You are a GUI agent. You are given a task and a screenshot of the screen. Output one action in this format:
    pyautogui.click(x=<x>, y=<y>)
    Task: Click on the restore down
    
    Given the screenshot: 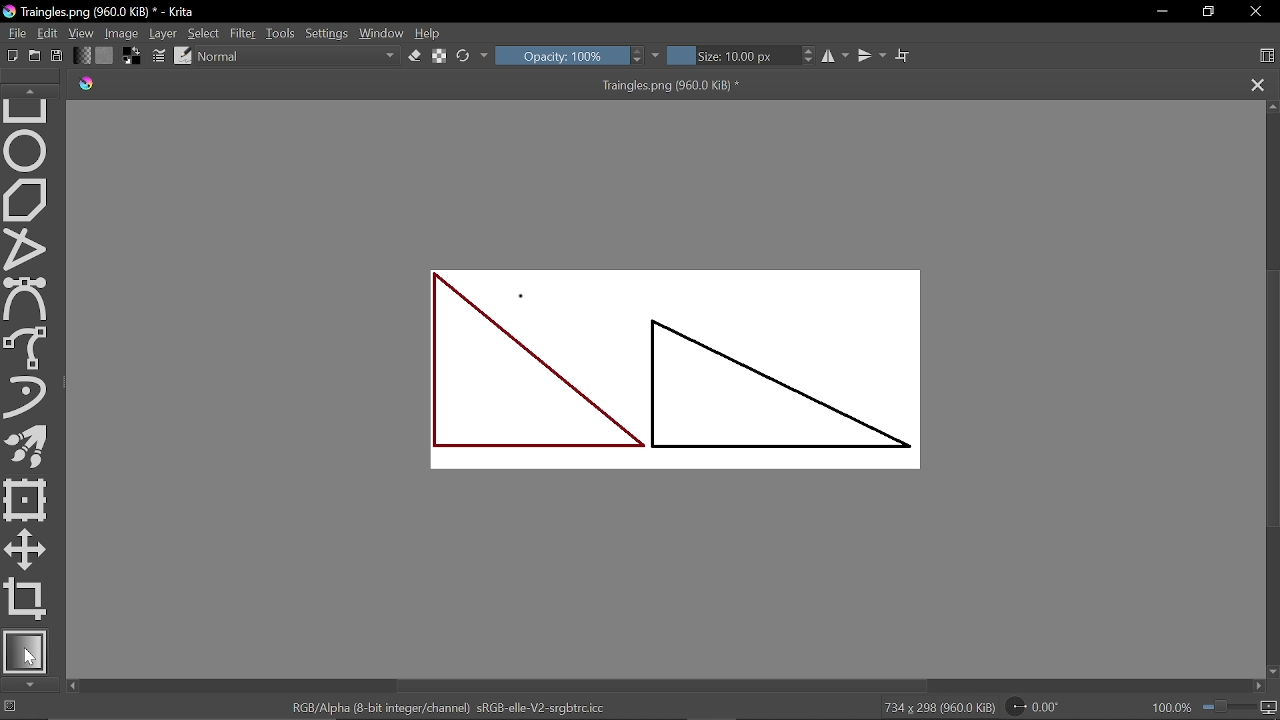 What is the action you would take?
    pyautogui.click(x=1211, y=11)
    